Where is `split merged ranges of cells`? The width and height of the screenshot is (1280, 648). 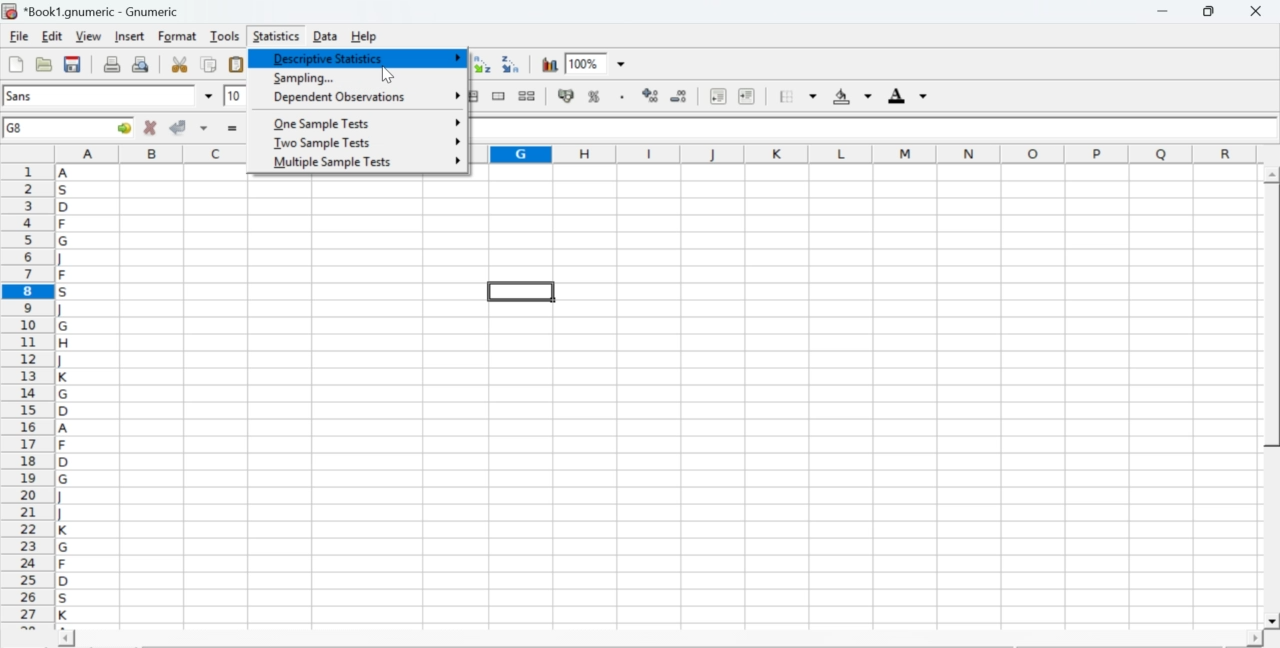 split merged ranges of cells is located at coordinates (526, 95).